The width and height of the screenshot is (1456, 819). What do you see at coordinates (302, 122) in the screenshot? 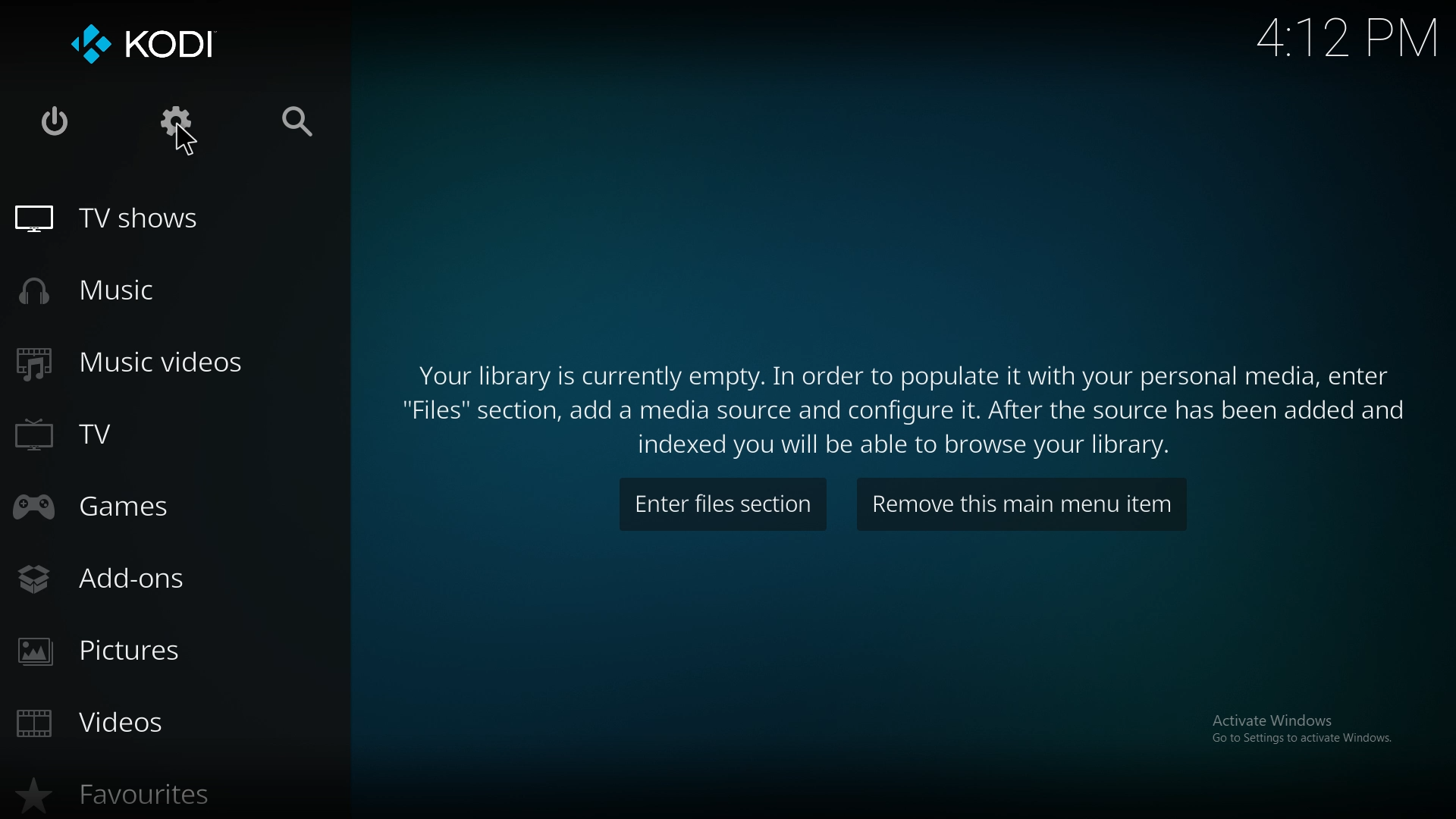
I see `search` at bounding box center [302, 122].